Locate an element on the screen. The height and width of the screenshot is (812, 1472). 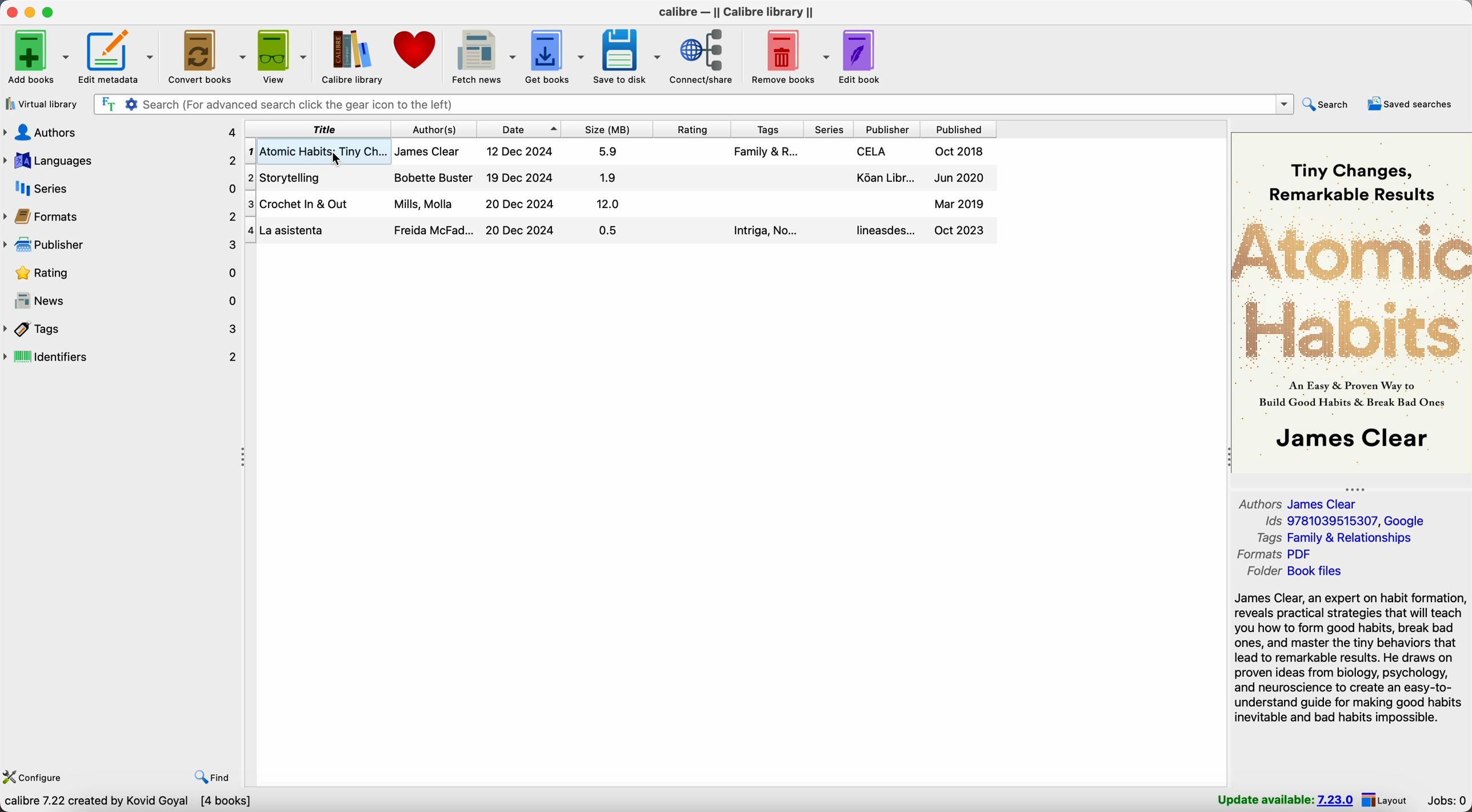
published is located at coordinates (958, 129).